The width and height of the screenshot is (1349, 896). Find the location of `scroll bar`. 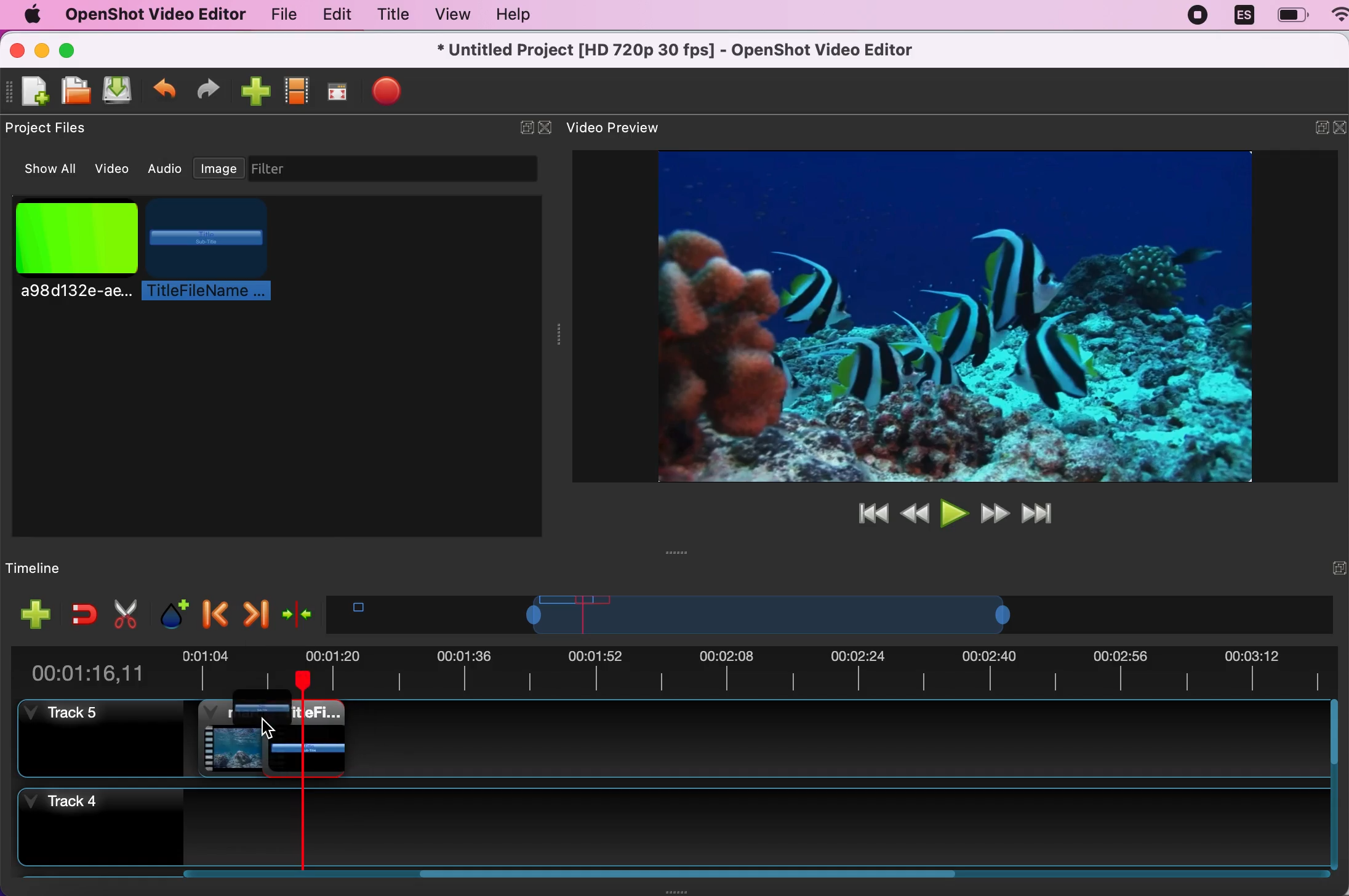

scroll bar is located at coordinates (570, 881).